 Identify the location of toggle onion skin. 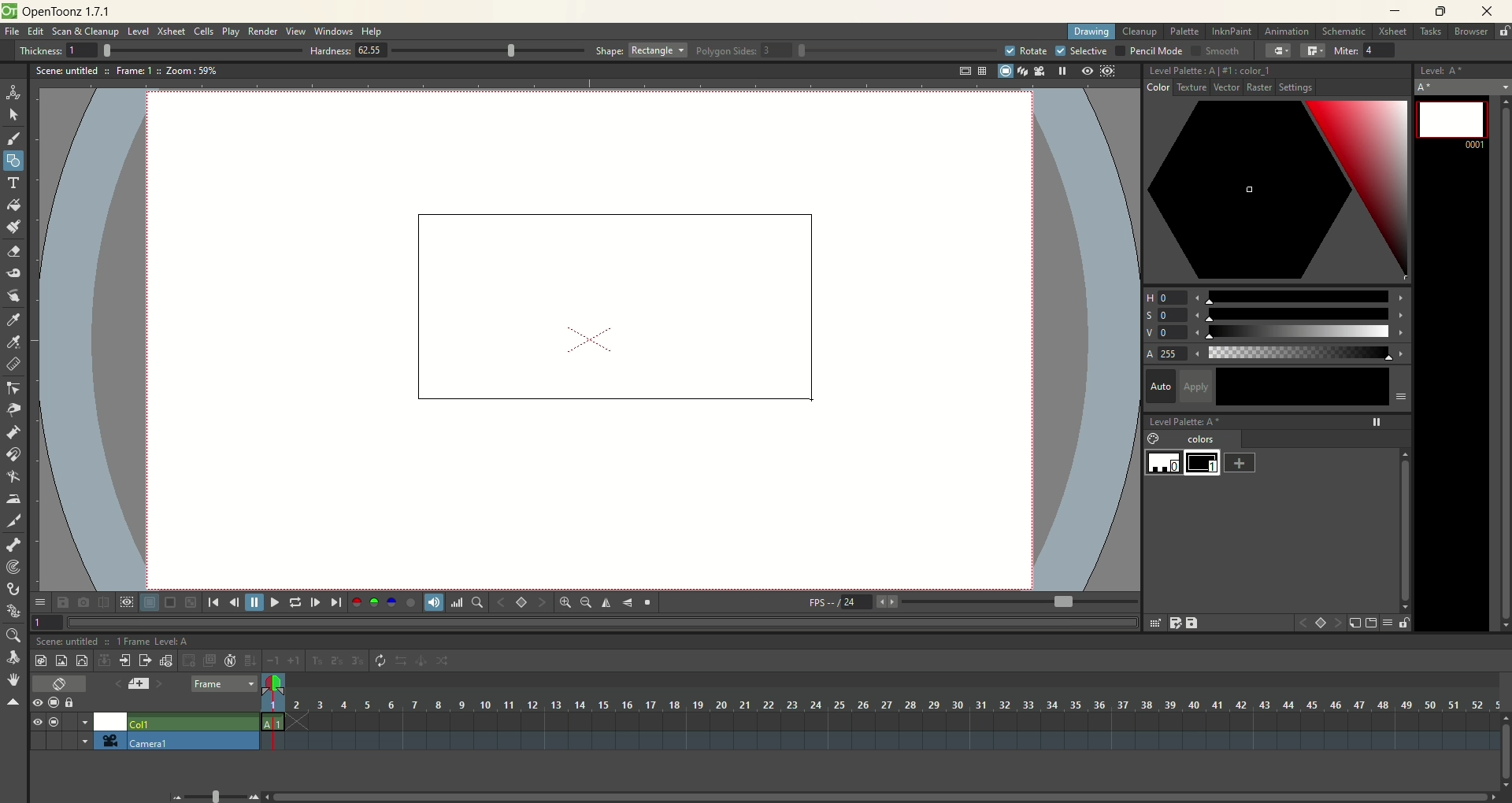
(272, 684).